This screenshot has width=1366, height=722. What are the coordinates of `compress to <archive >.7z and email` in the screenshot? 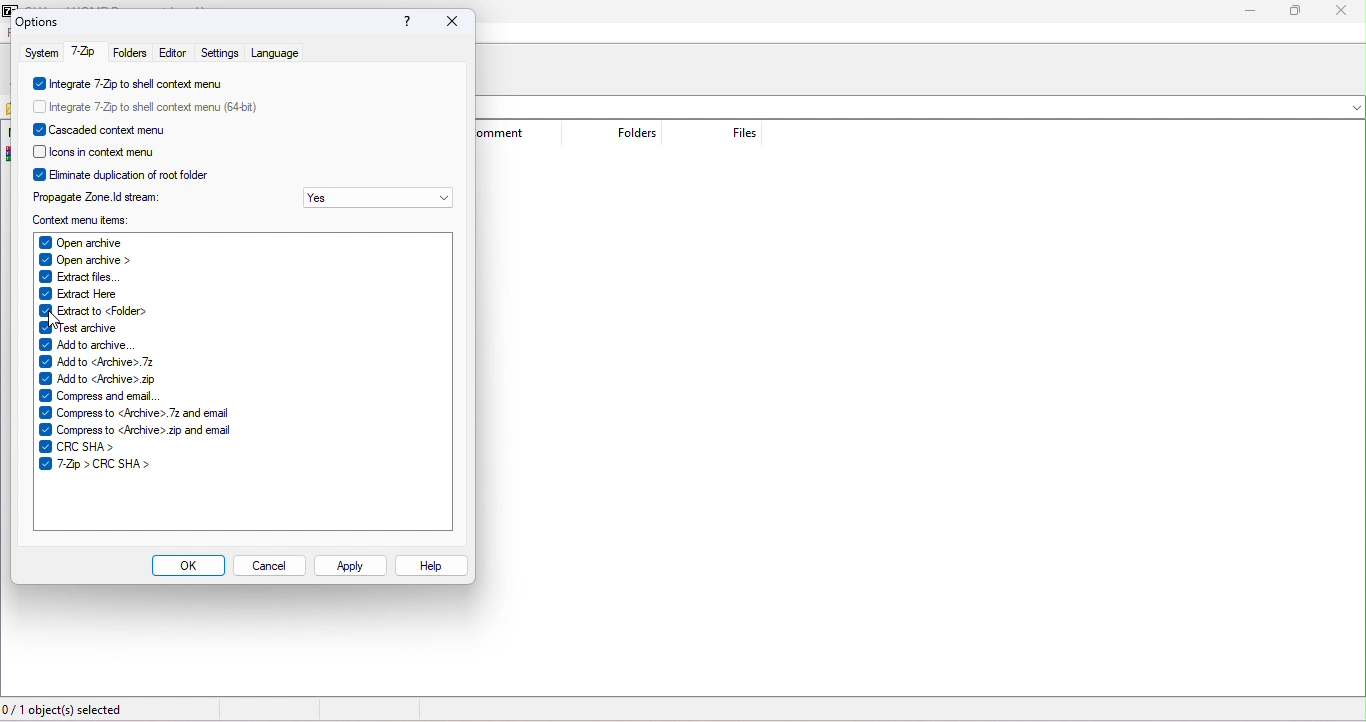 It's located at (140, 413).